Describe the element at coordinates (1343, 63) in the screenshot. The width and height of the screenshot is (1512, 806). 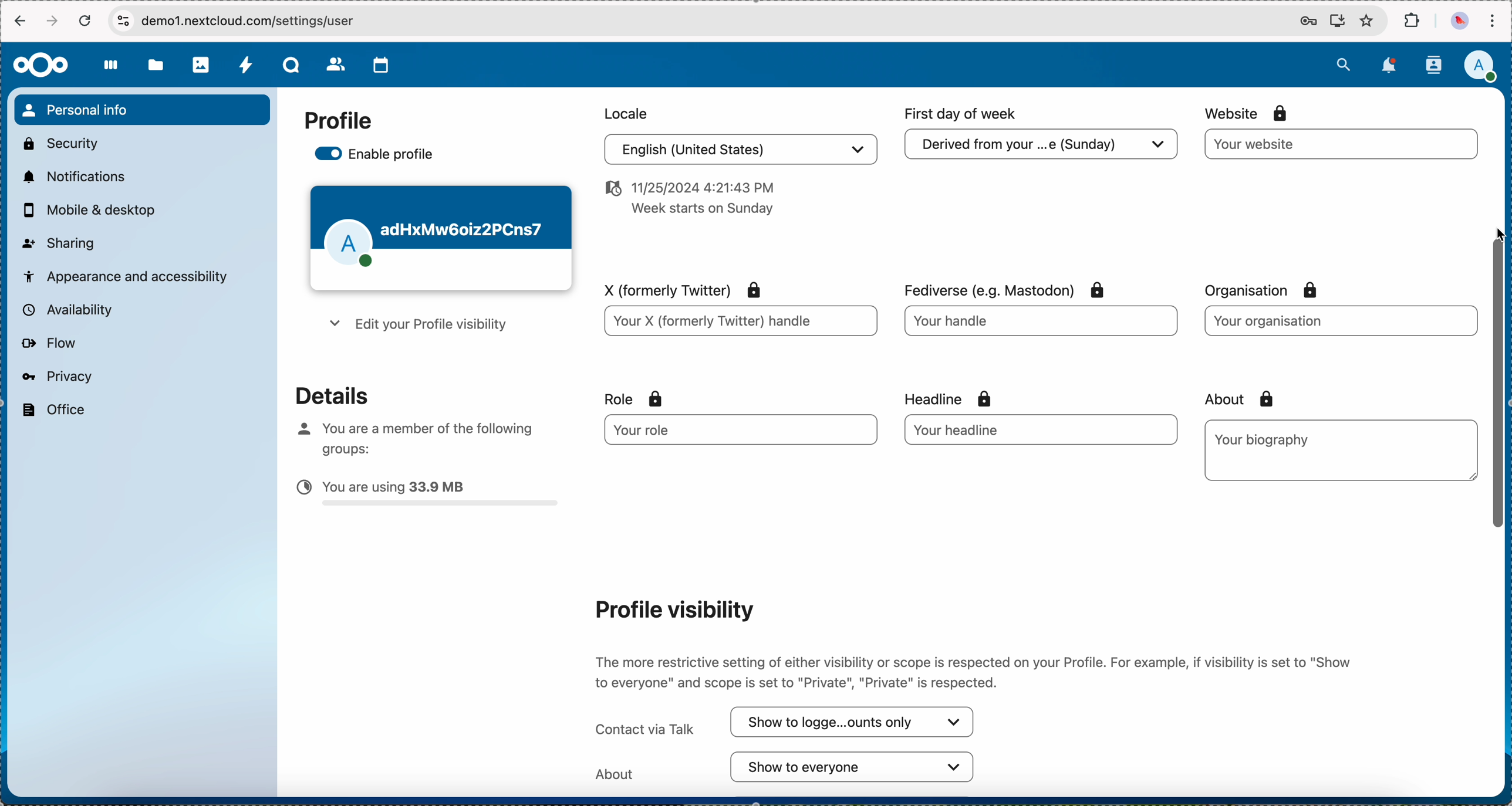
I see `search` at that location.